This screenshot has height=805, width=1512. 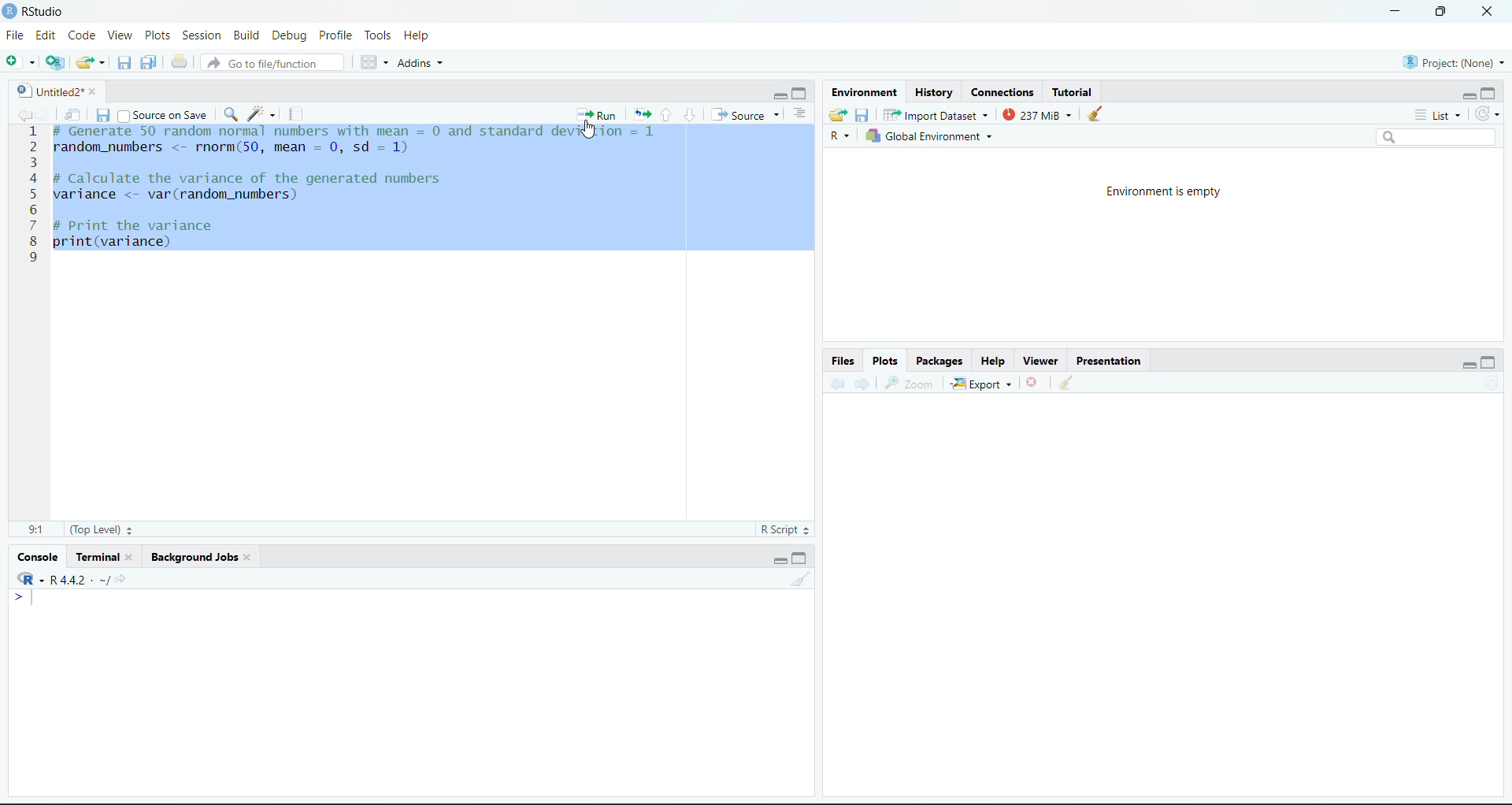 I want to click on 9:1, so click(x=36, y=530).